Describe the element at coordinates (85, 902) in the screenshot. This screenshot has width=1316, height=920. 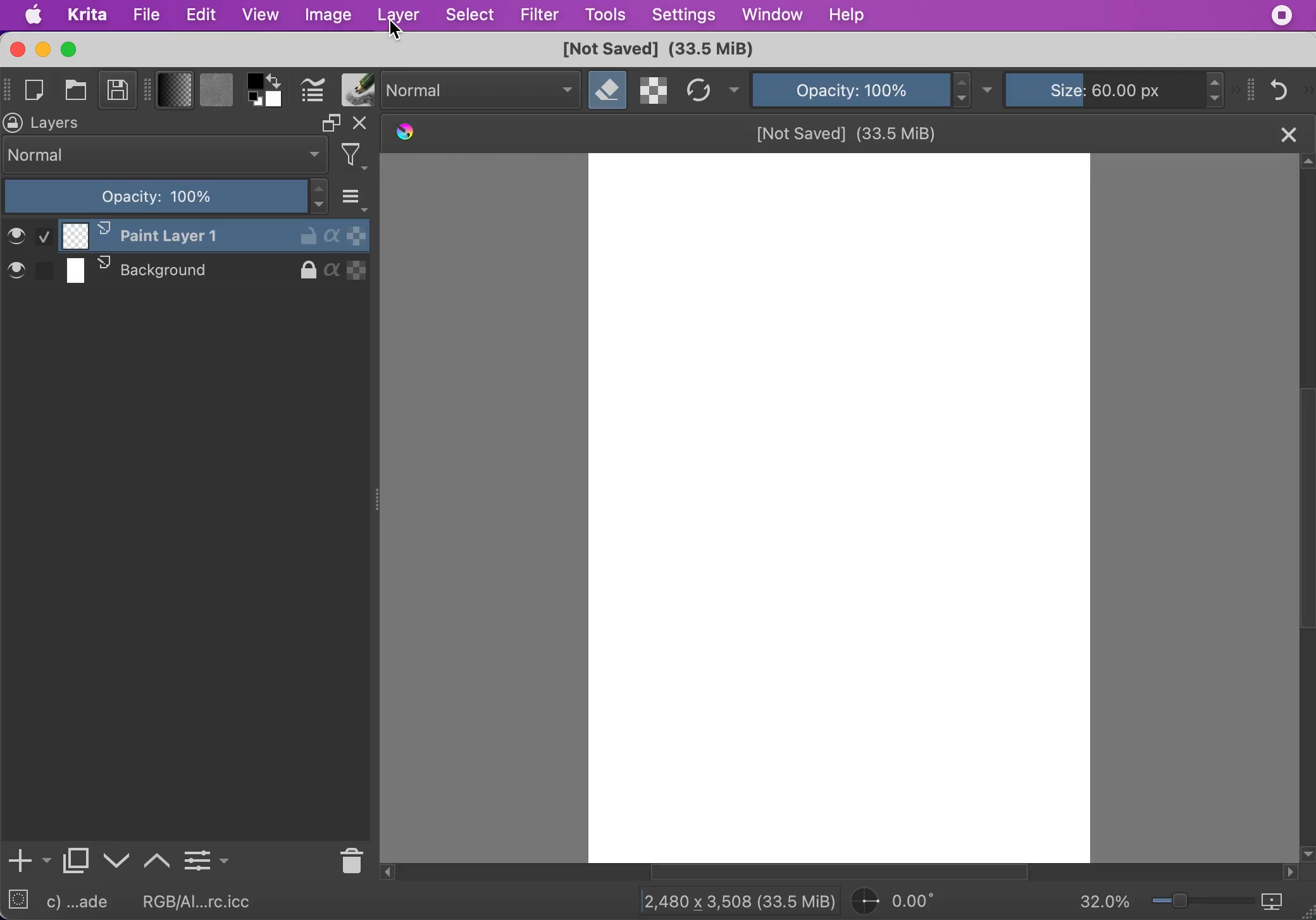
I see `pencil 6 - quick shade` at that location.